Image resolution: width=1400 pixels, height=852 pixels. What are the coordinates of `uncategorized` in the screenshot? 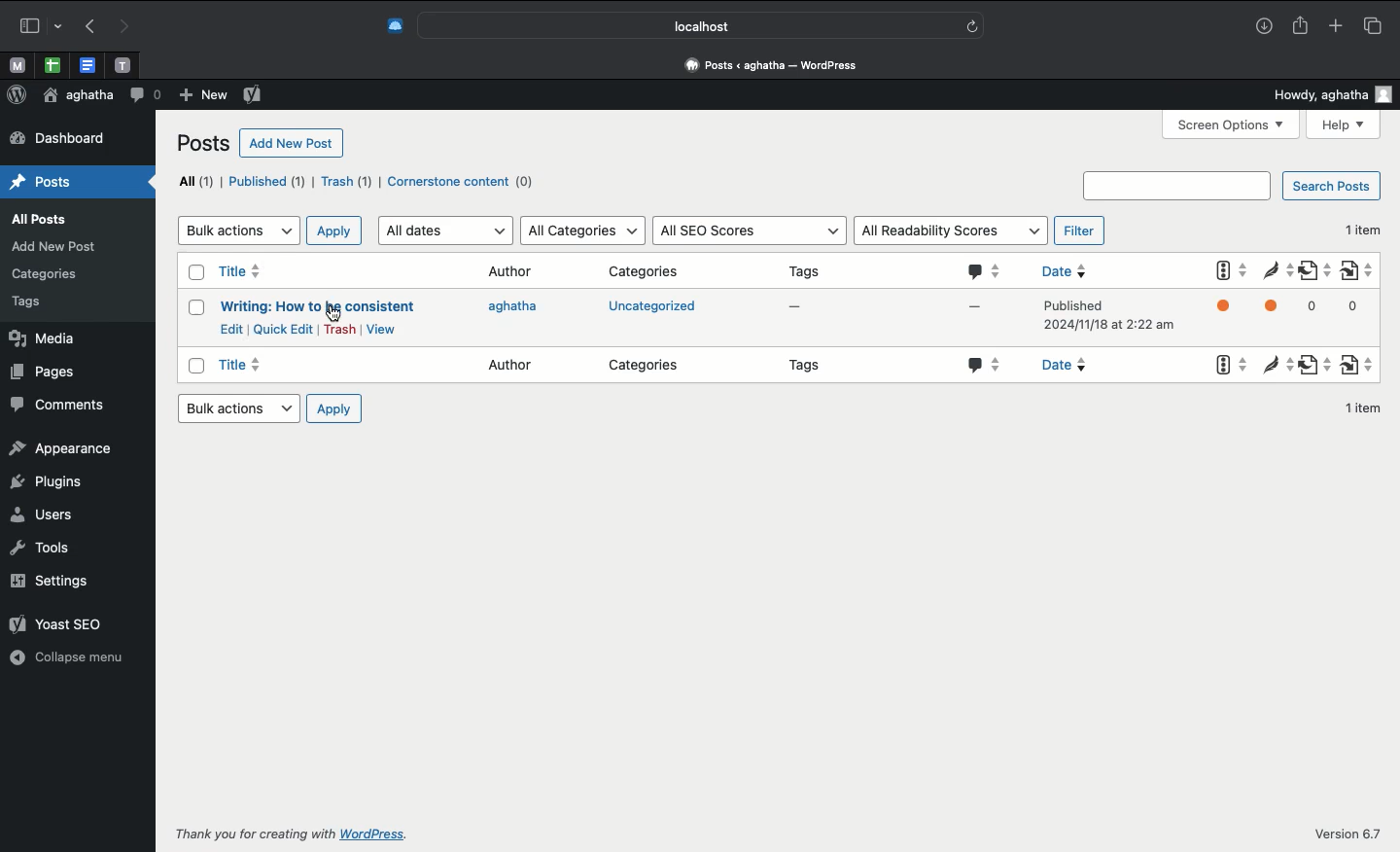 It's located at (646, 303).